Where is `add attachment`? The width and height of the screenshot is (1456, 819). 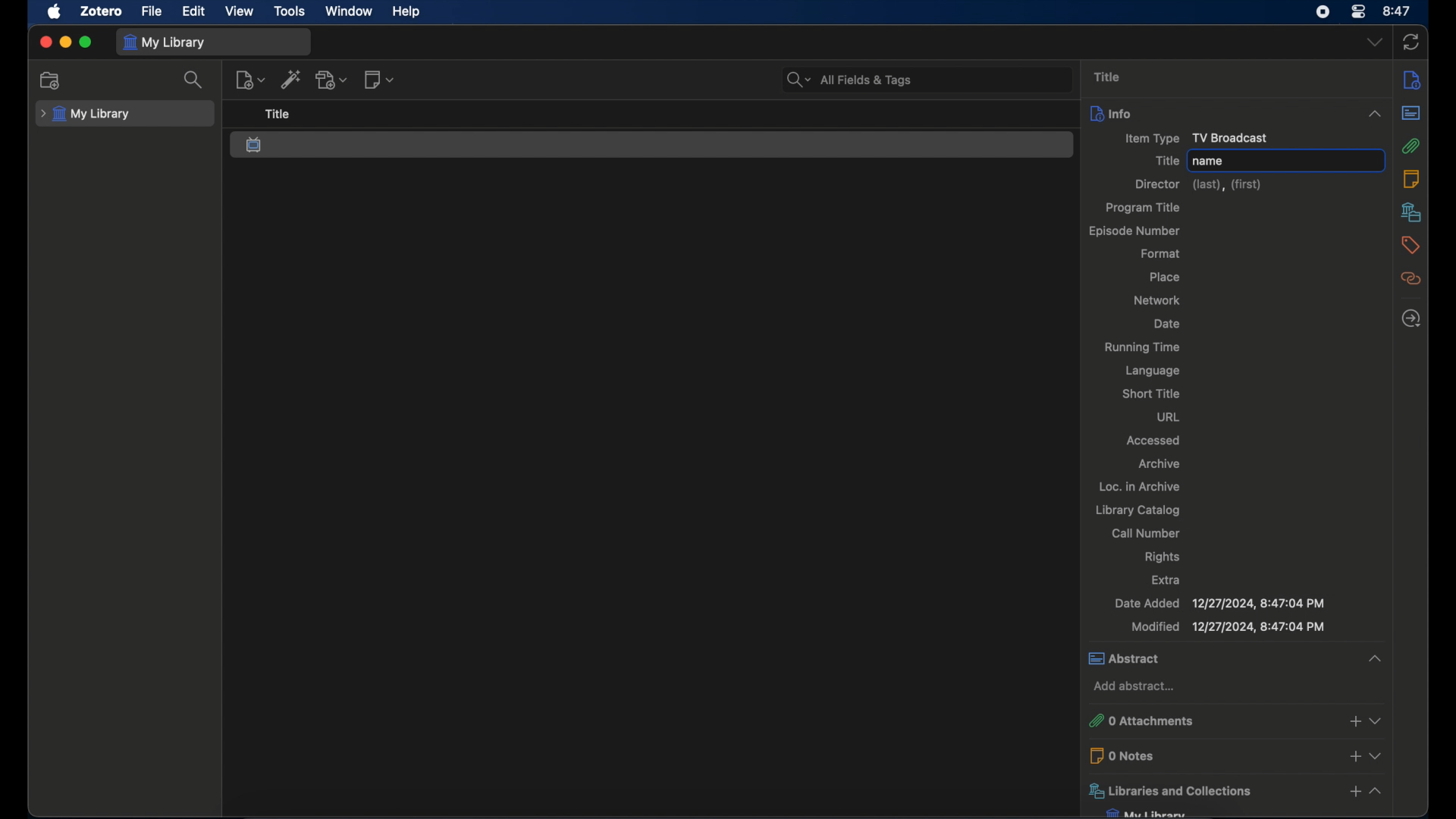
add attachment is located at coordinates (332, 79).